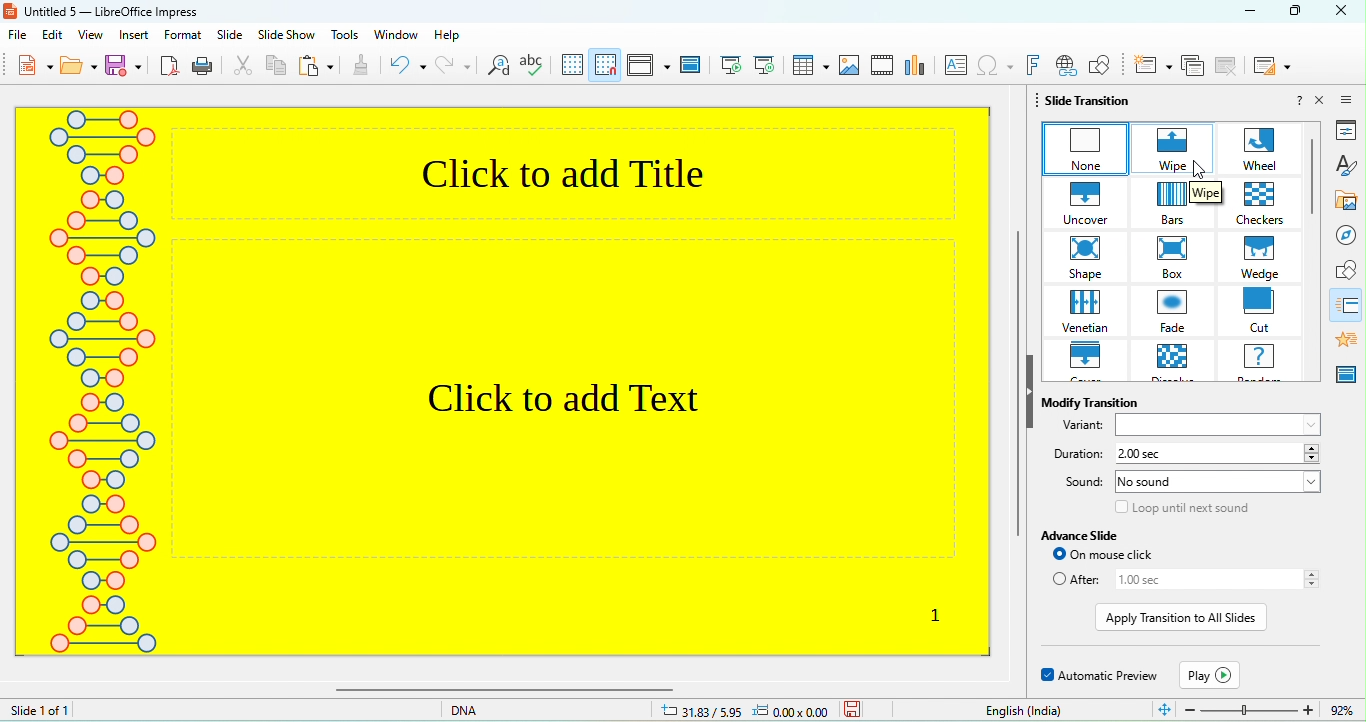  Describe the element at coordinates (170, 68) in the screenshot. I see `export directly as pdf` at that location.